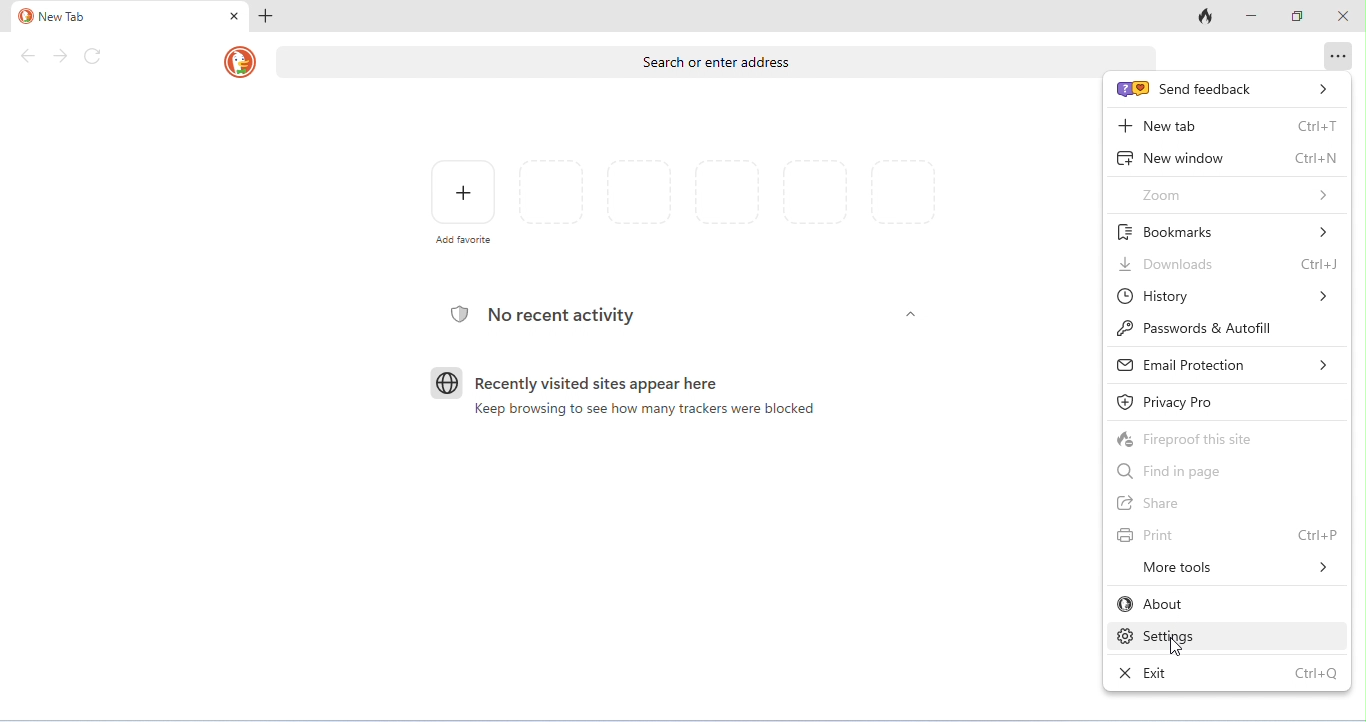  I want to click on privacy pro, so click(1229, 401).